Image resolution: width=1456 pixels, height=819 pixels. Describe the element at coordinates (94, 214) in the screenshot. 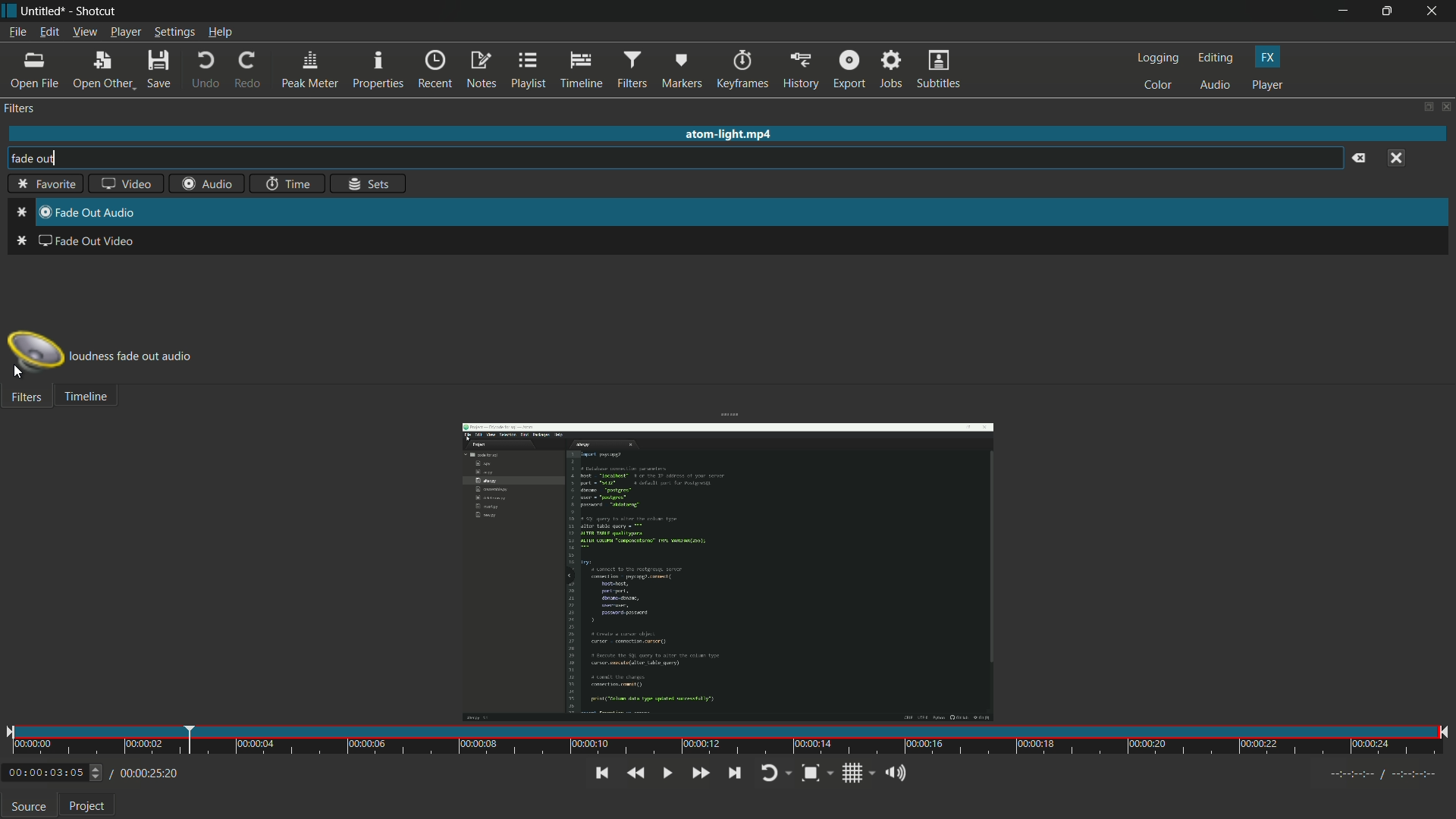

I see `fade out audio` at that location.